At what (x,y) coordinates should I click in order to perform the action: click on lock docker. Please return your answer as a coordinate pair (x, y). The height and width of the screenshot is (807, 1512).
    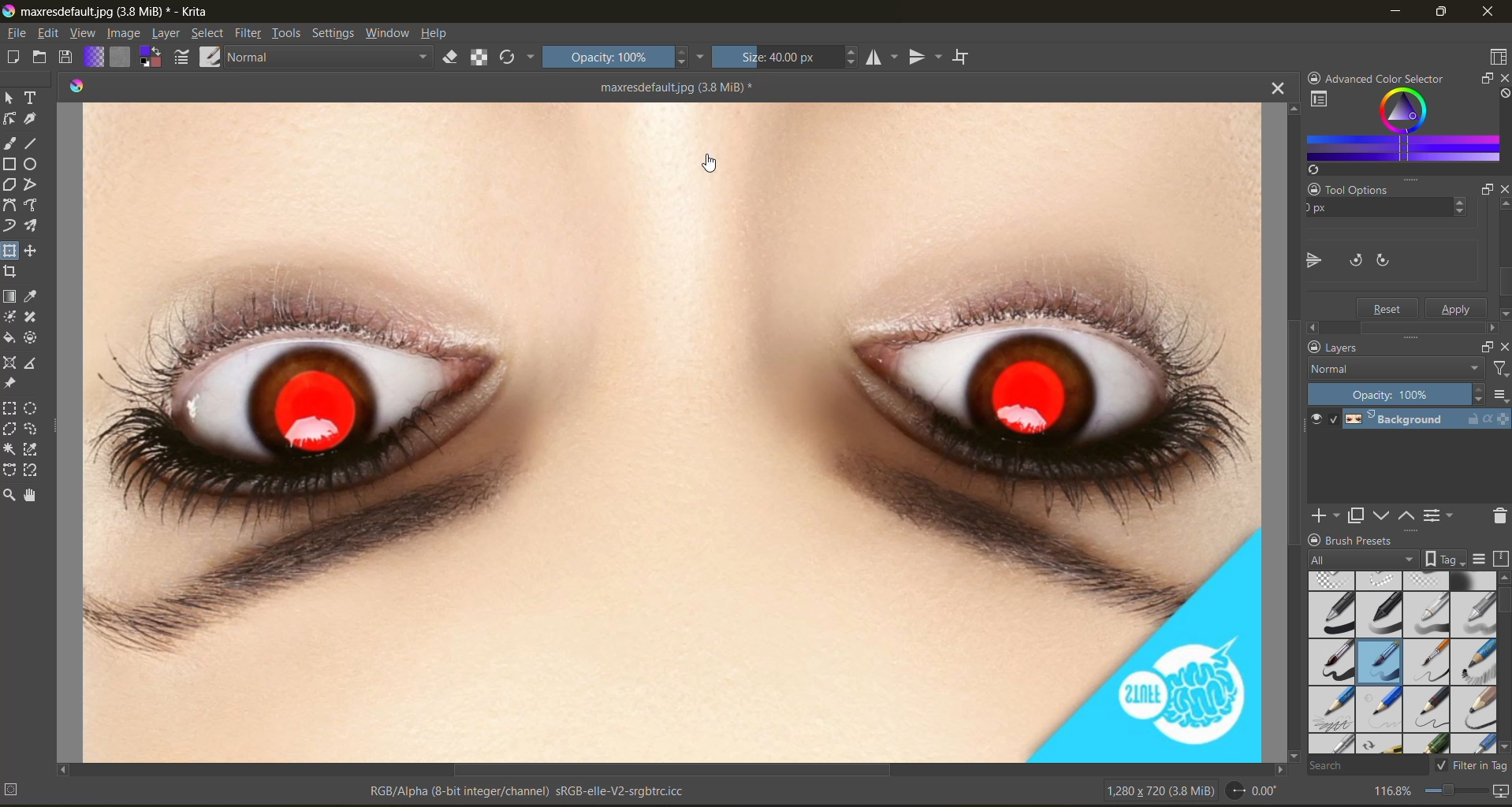
    Looking at the image, I should click on (1313, 190).